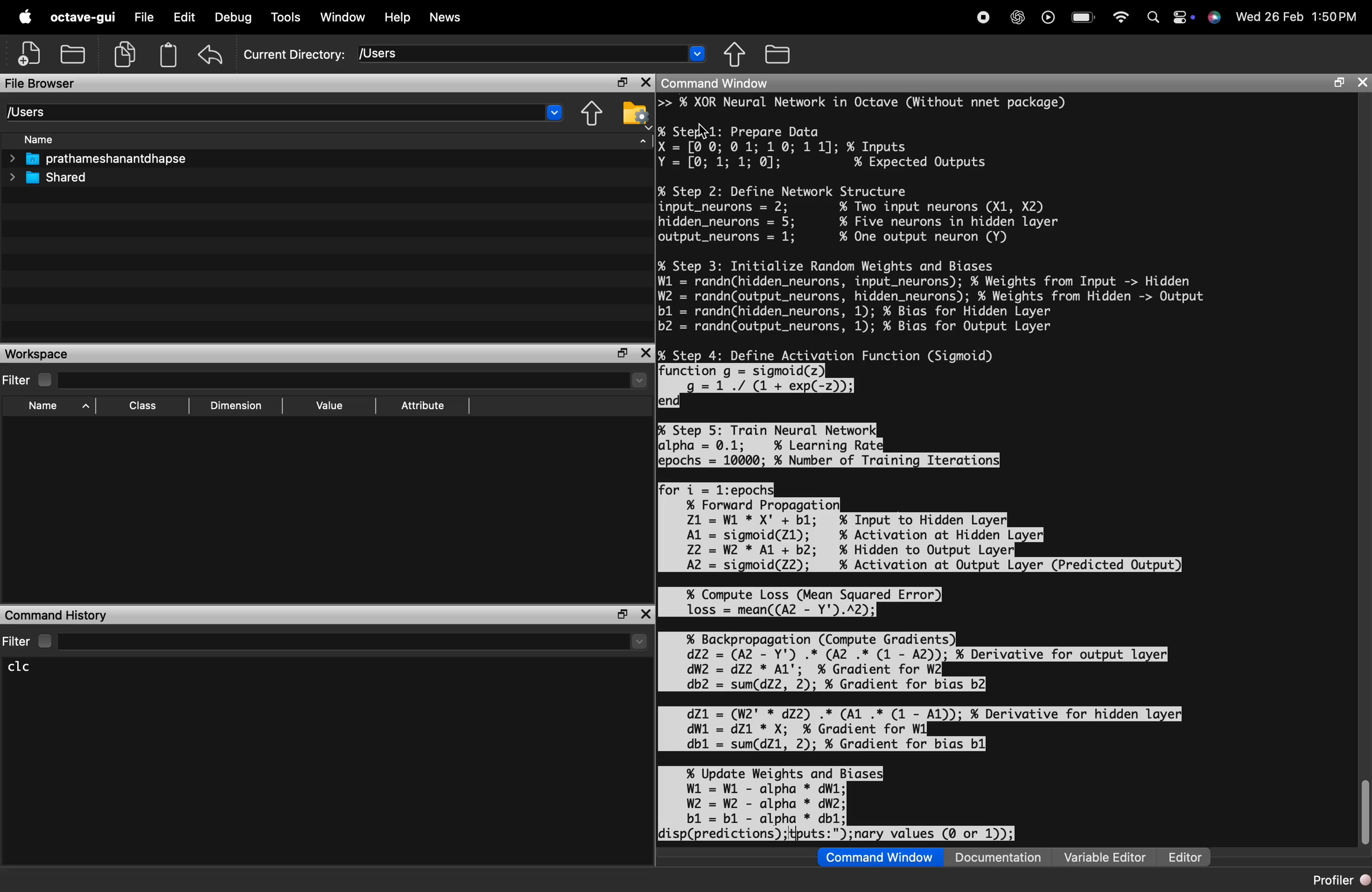 This screenshot has width=1372, height=892. What do you see at coordinates (780, 54) in the screenshot?
I see `Browse directories` at bounding box center [780, 54].